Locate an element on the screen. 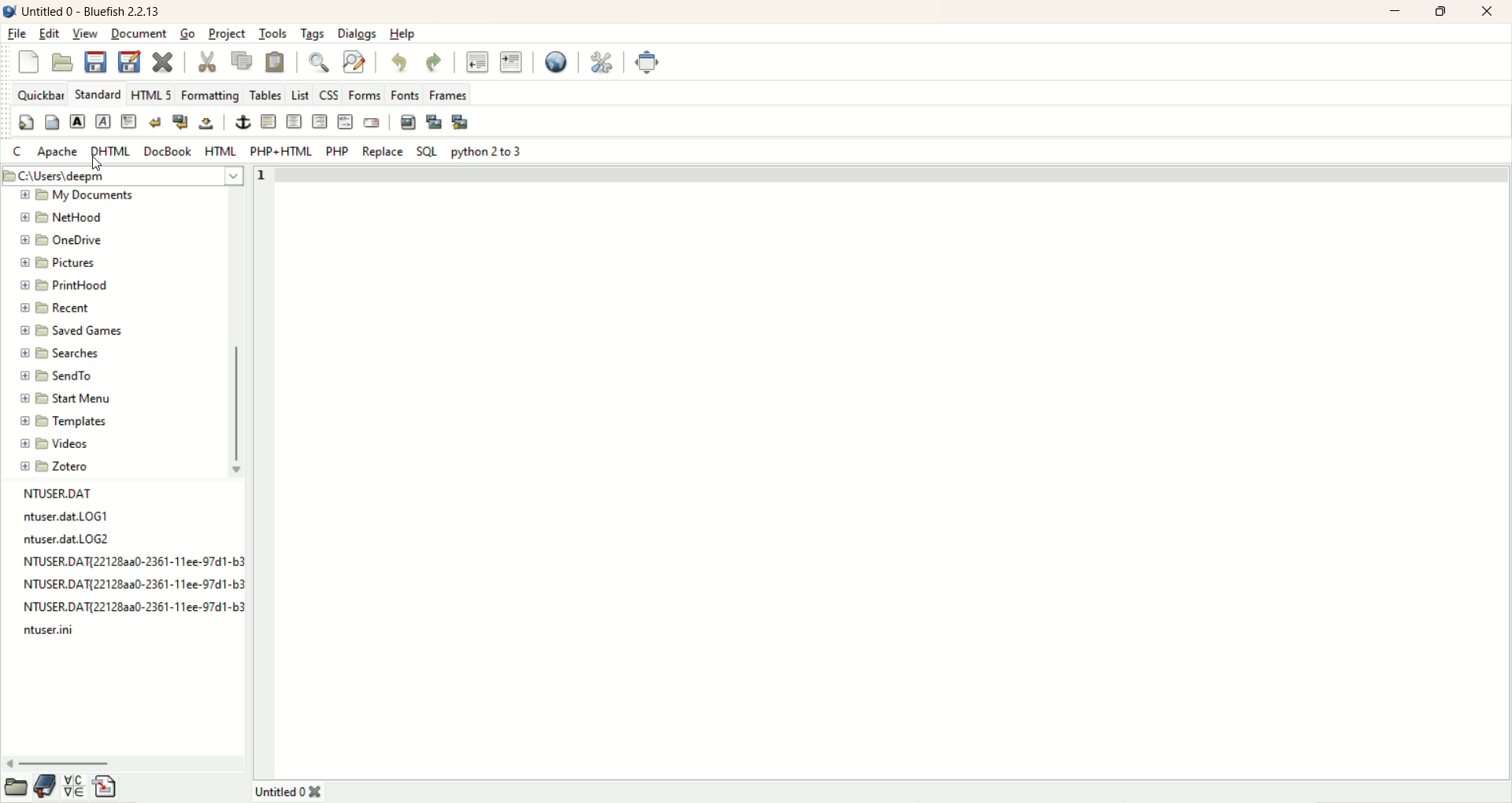 The image size is (1512, 803). searches is located at coordinates (60, 353).